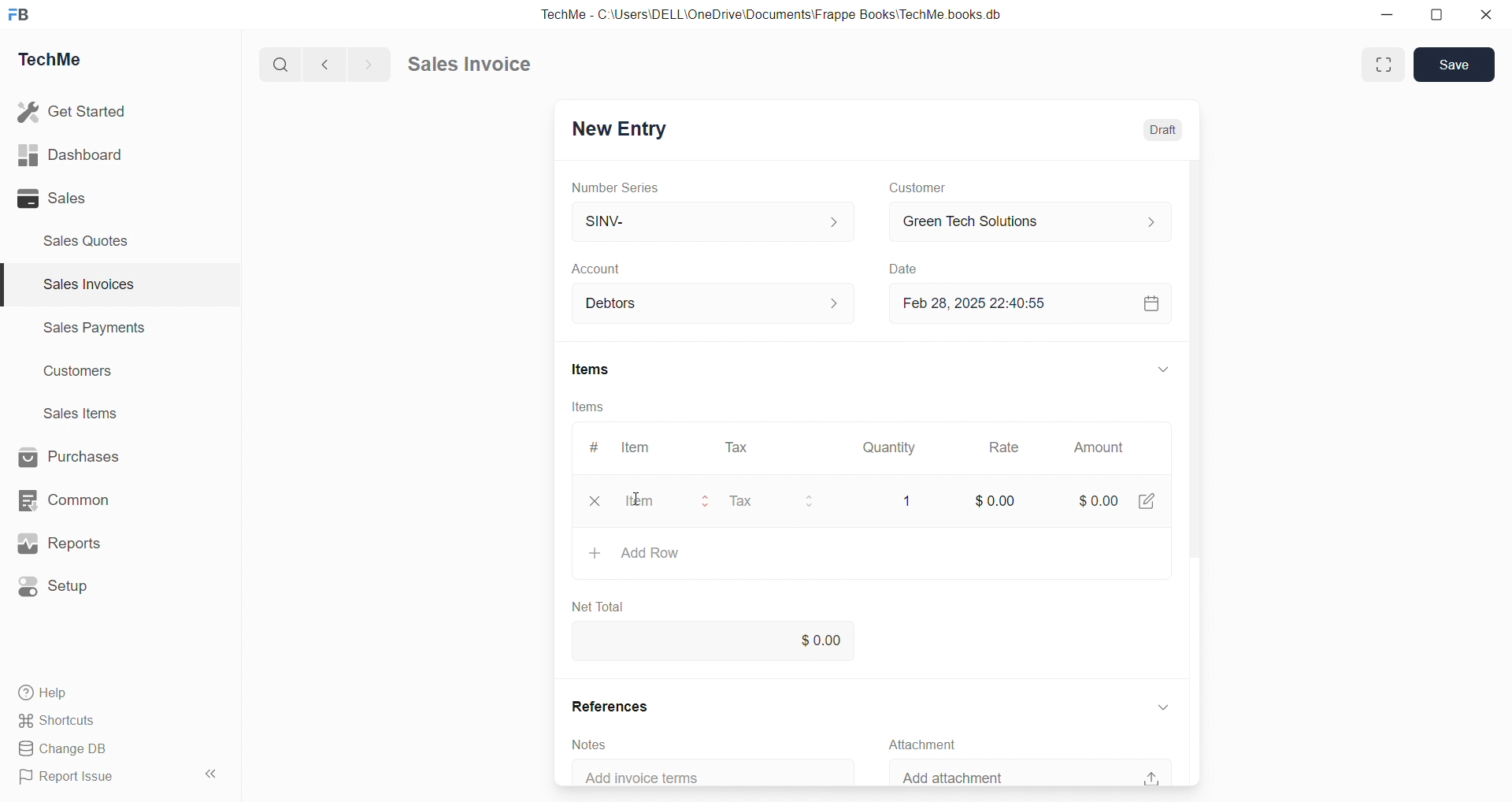  I want to click on $0.00, so click(715, 639).